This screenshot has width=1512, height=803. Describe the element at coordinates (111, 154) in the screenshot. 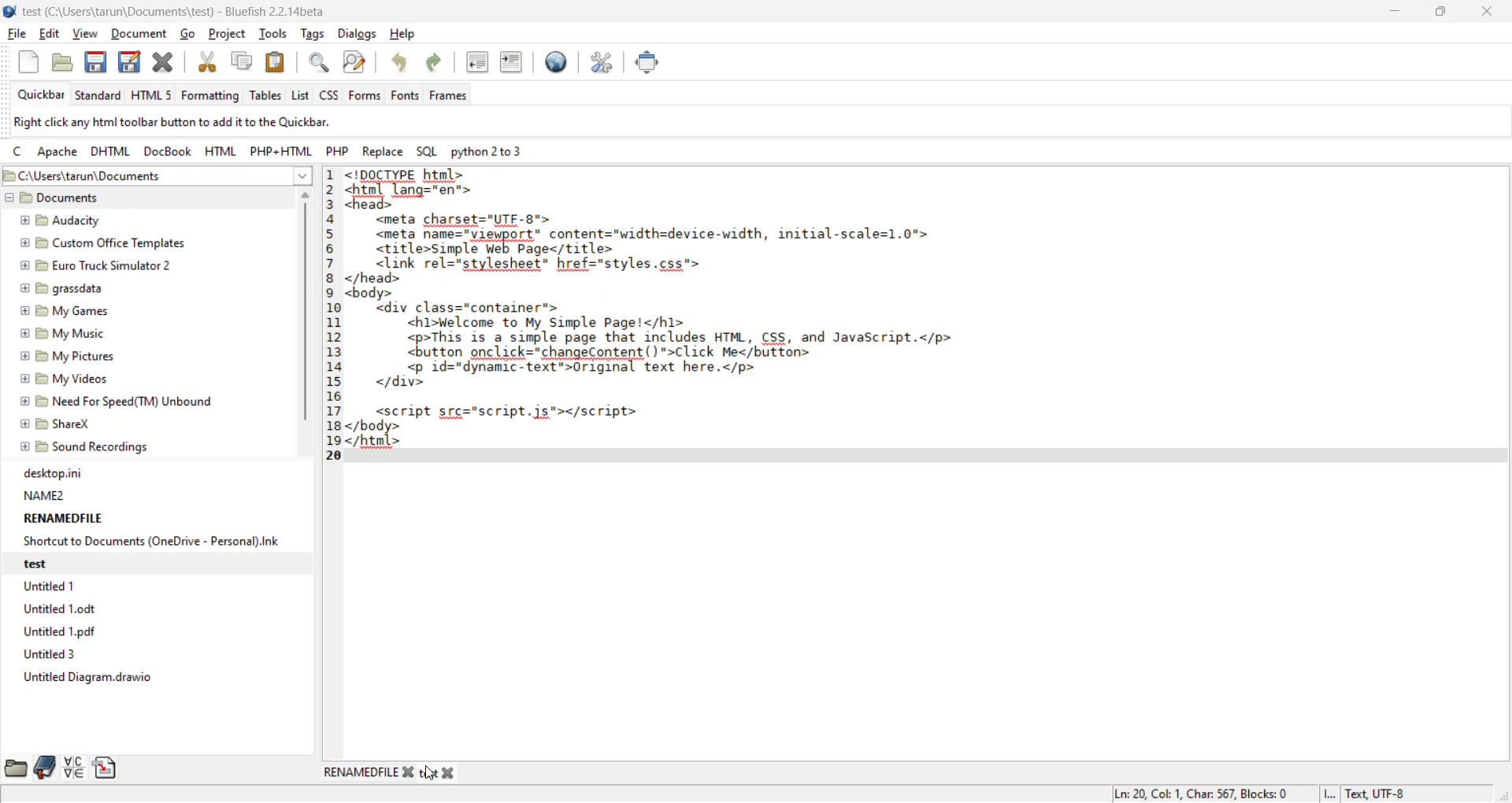

I see `dhtml` at that location.